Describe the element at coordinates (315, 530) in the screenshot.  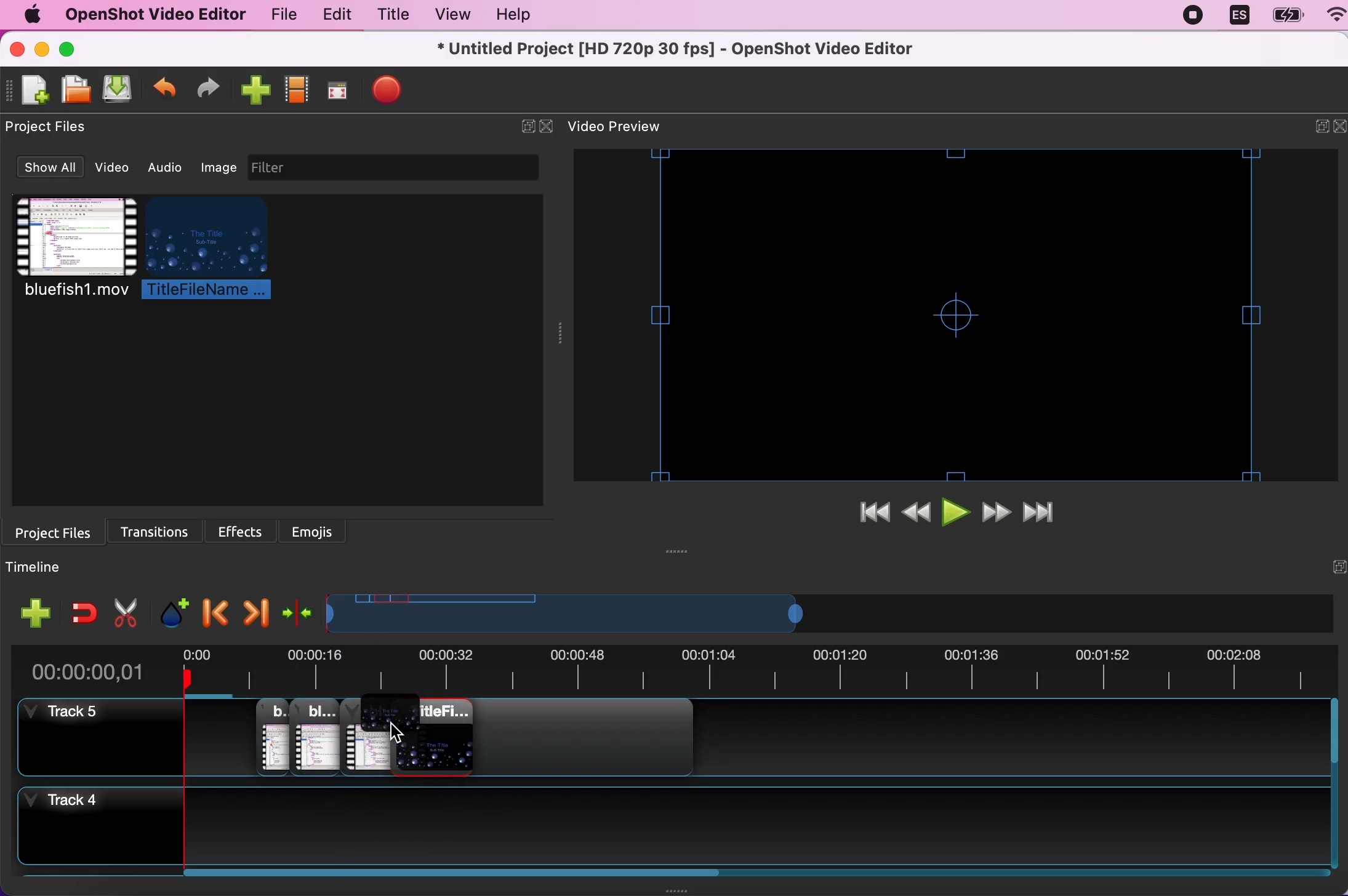
I see `emojis` at that location.